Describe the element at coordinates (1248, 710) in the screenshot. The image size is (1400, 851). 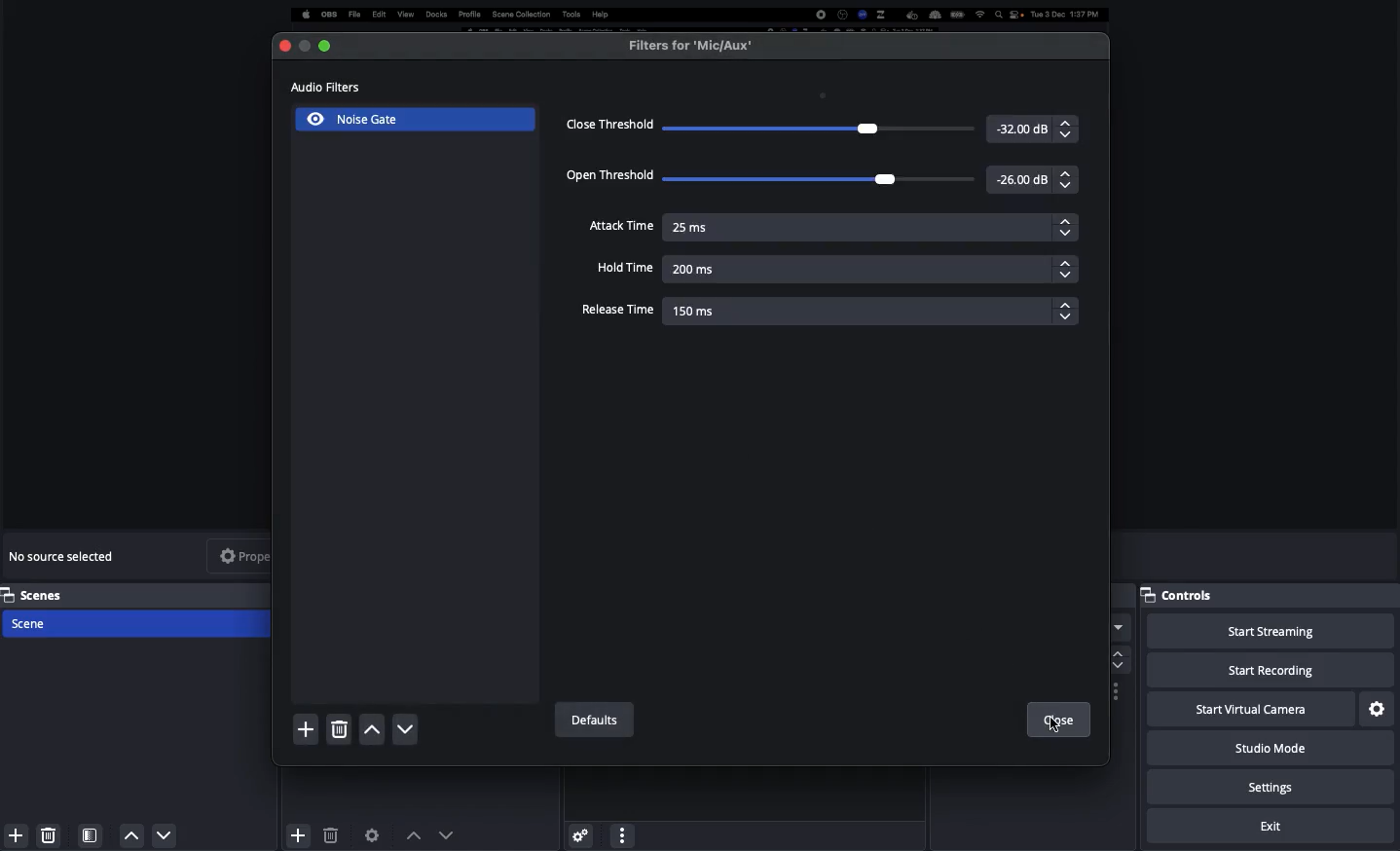
I see `Start virtual camera` at that location.